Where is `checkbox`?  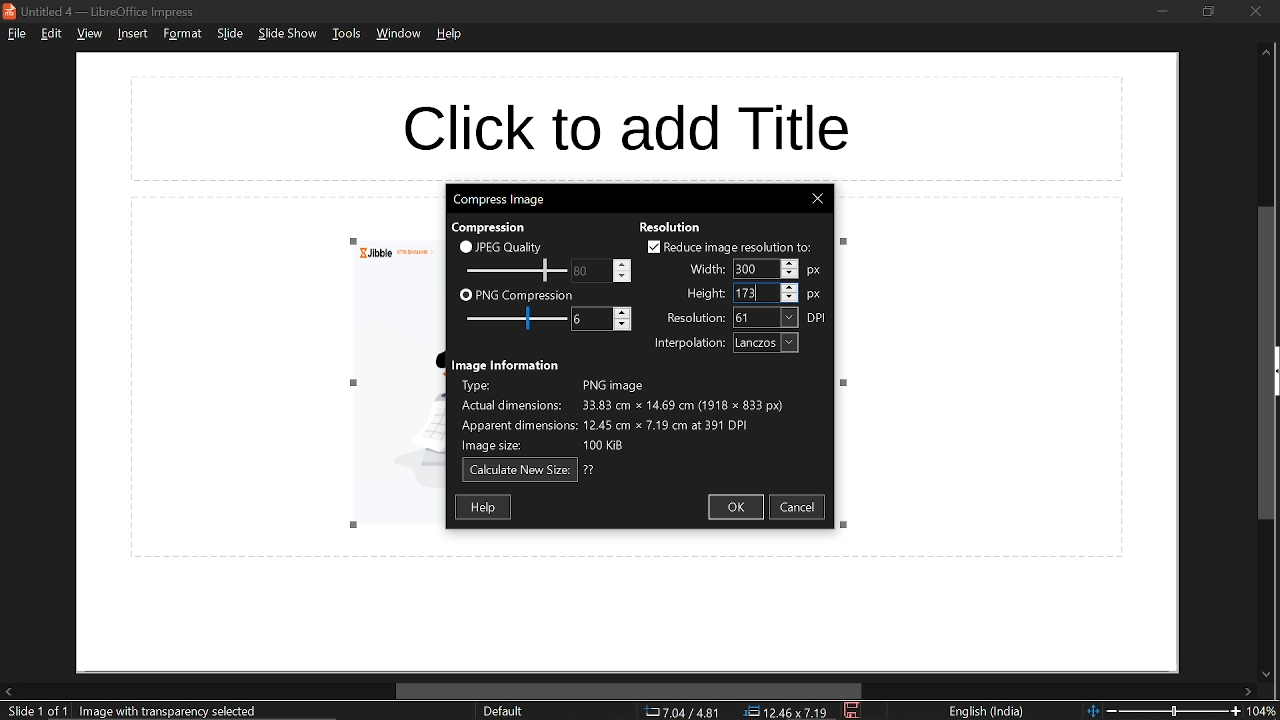 checkbox is located at coordinates (465, 246).